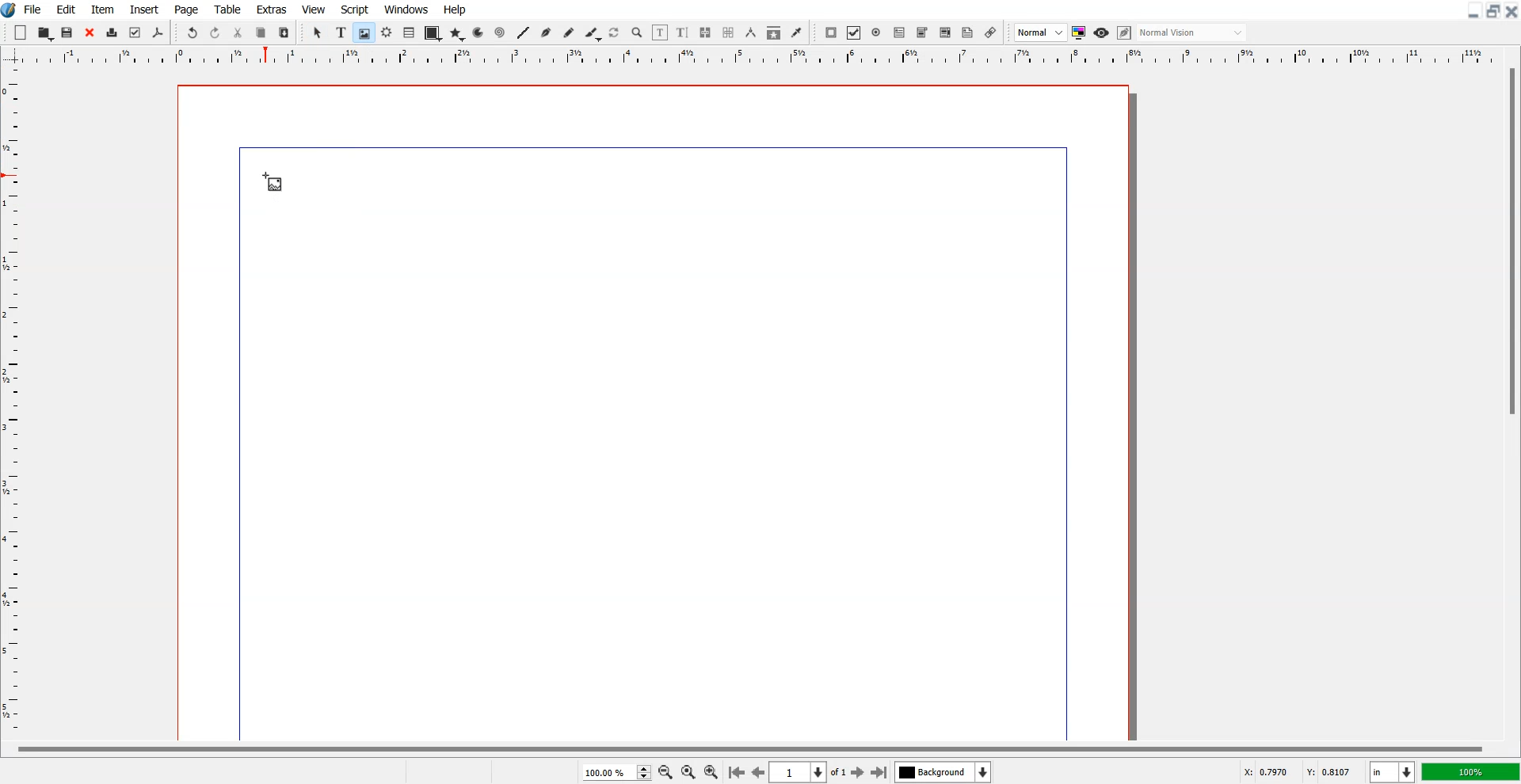 This screenshot has width=1521, height=784. I want to click on Save As PDF, so click(158, 33).